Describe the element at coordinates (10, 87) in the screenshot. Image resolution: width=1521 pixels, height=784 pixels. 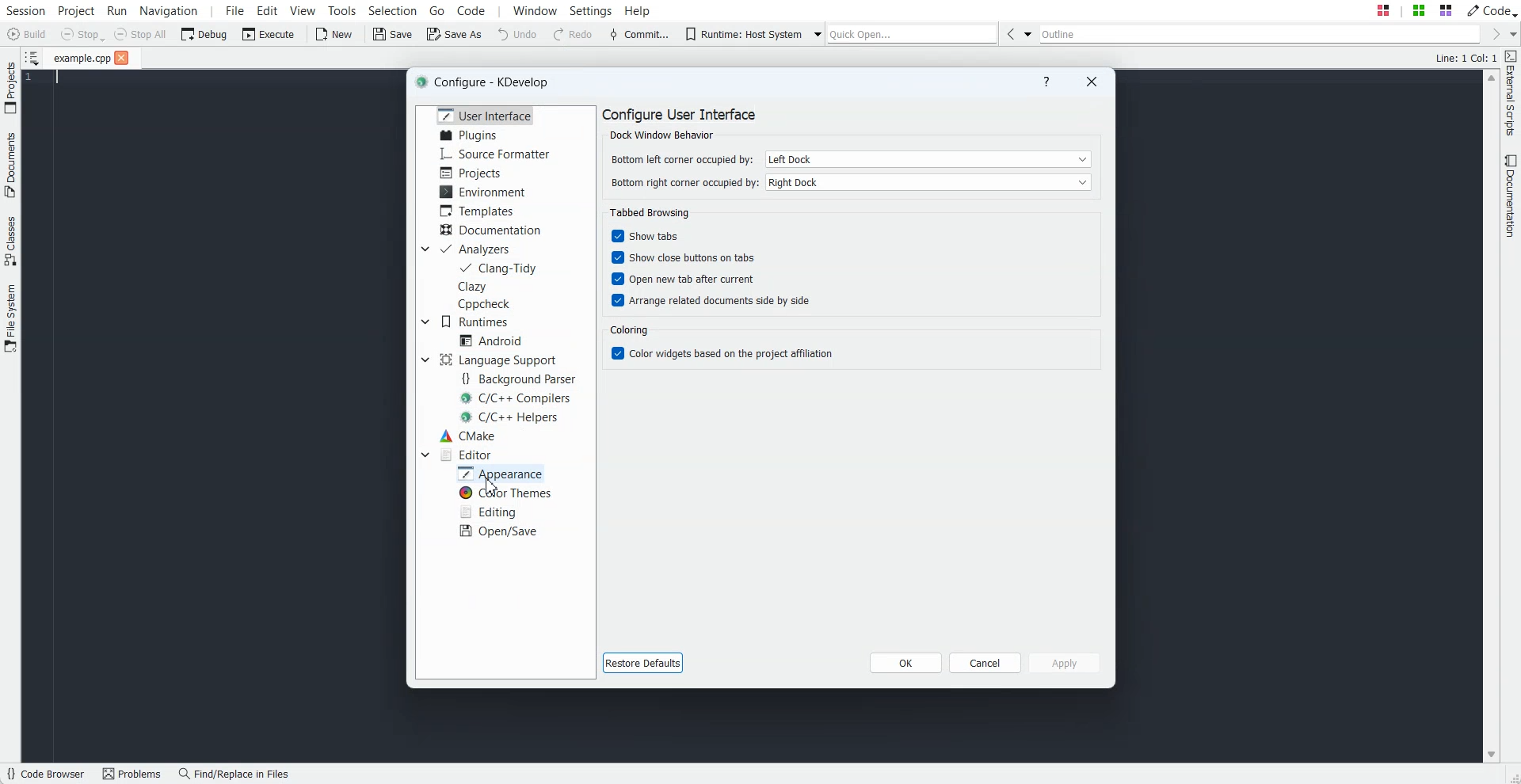
I see `Projects` at that location.